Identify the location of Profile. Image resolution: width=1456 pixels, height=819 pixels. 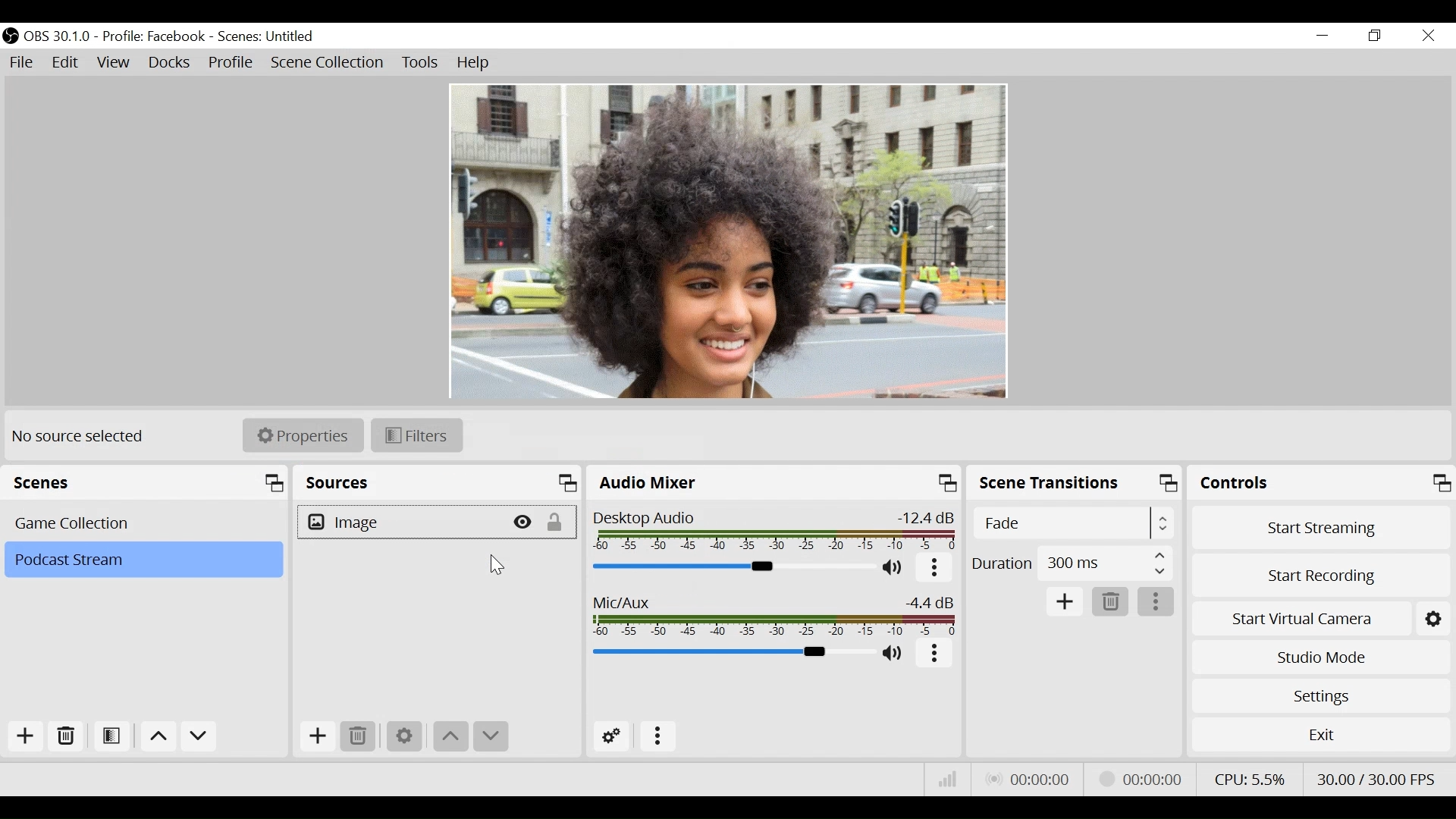
(229, 62).